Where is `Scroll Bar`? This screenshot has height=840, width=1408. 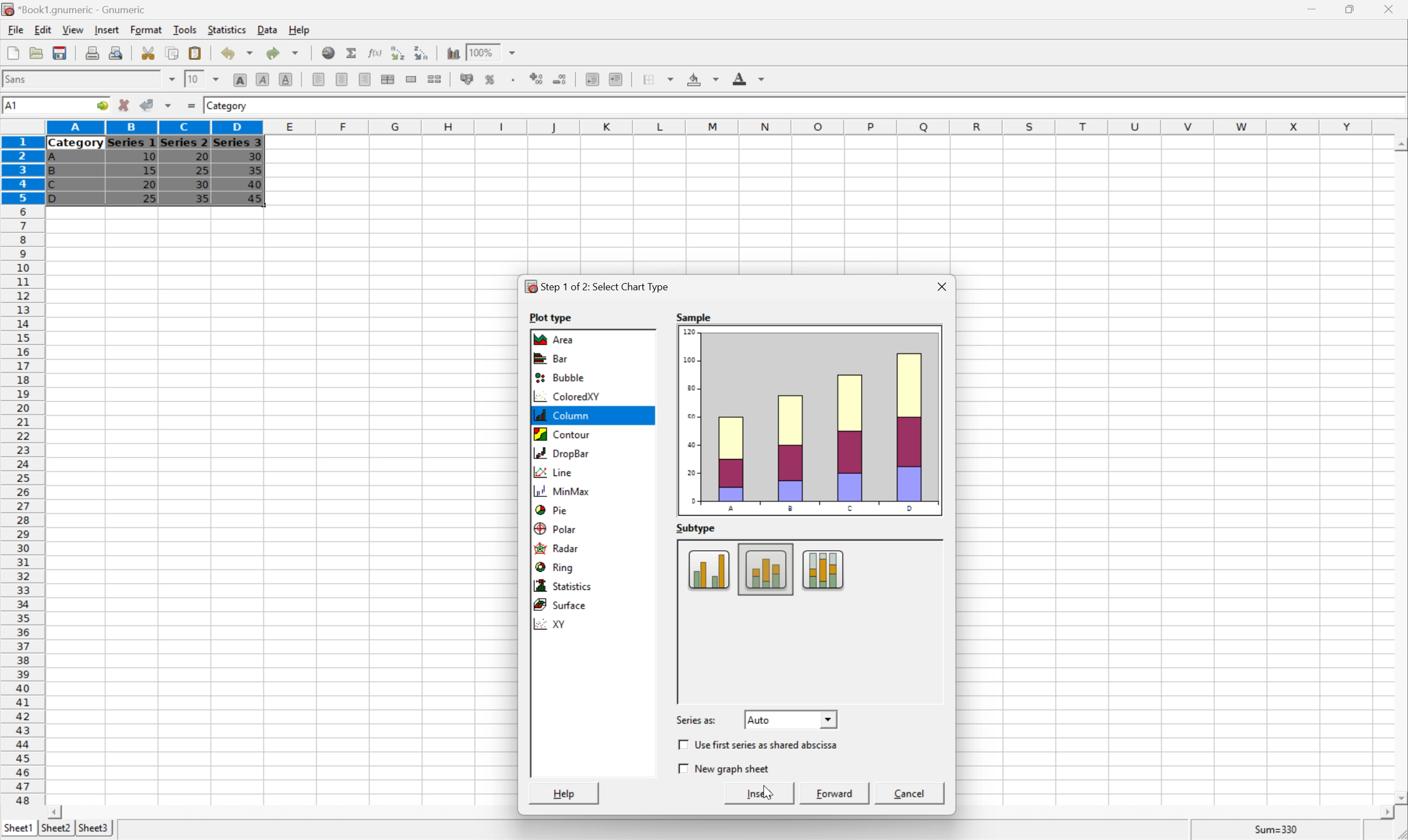 Scroll Bar is located at coordinates (935, 620).